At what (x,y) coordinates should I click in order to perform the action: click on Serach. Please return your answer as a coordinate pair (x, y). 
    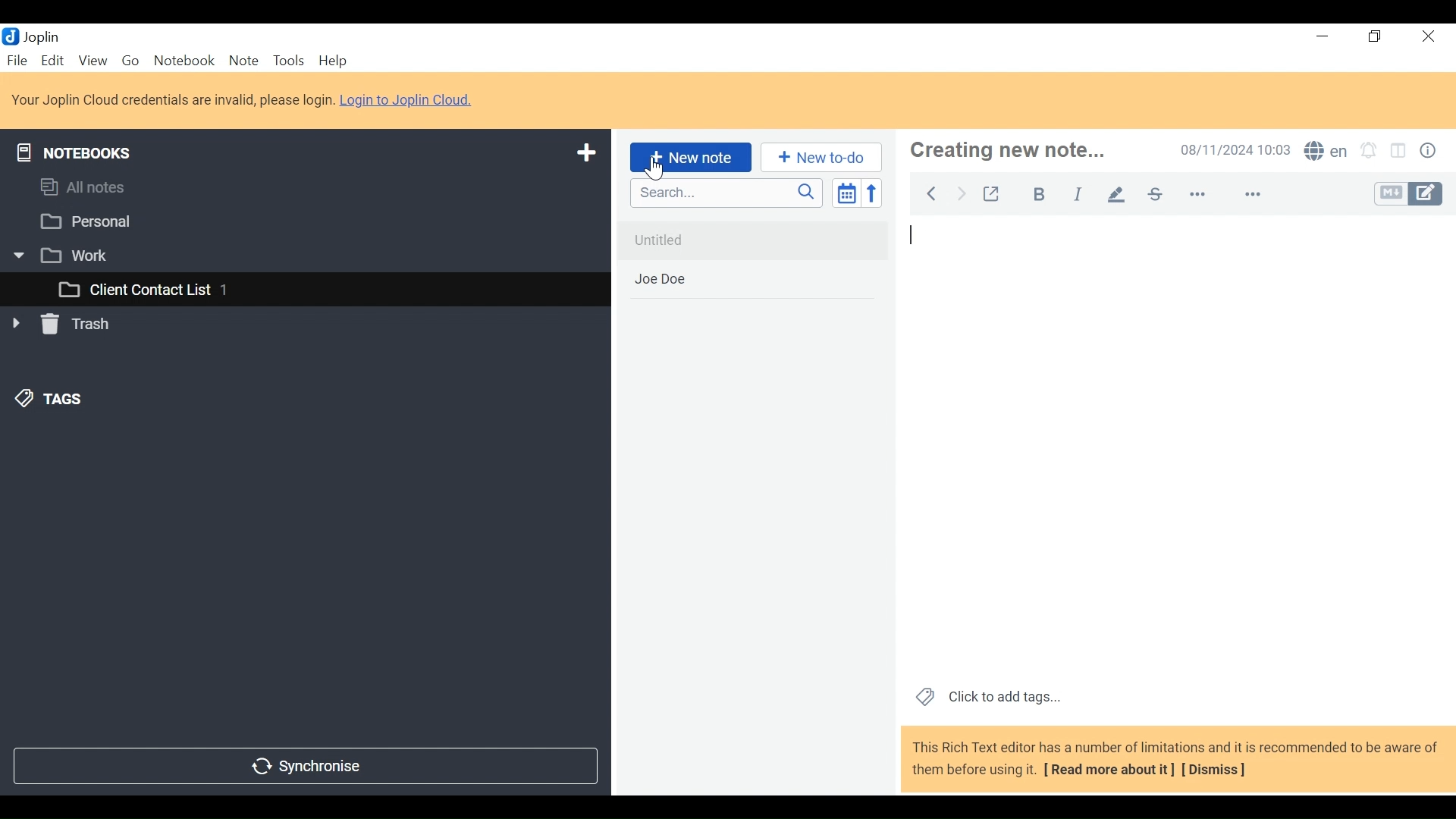
    Looking at the image, I should click on (726, 193).